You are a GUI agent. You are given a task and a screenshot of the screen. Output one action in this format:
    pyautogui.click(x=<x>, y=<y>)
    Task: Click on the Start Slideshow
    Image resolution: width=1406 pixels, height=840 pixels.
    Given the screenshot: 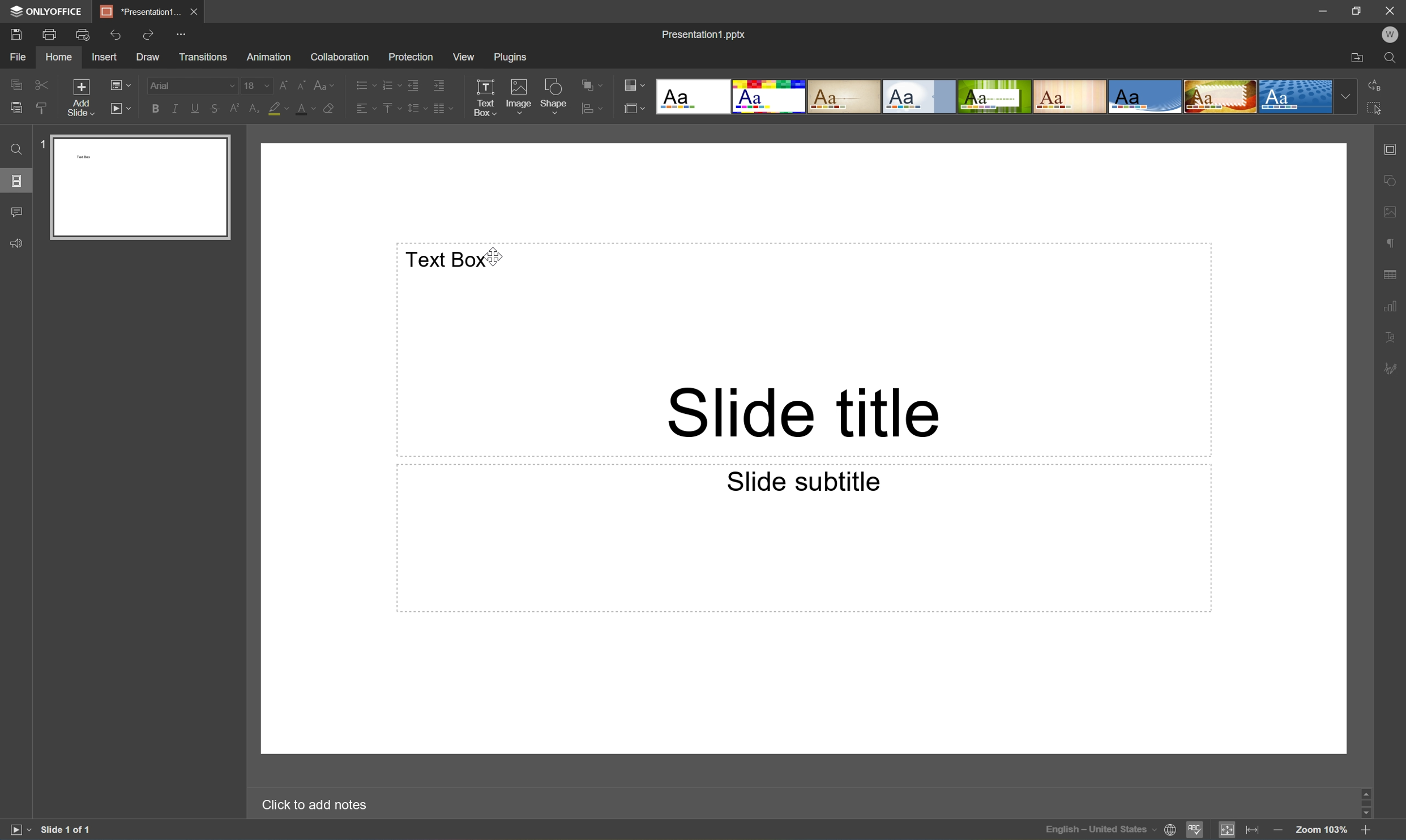 What is the action you would take?
    pyautogui.click(x=119, y=108)
    